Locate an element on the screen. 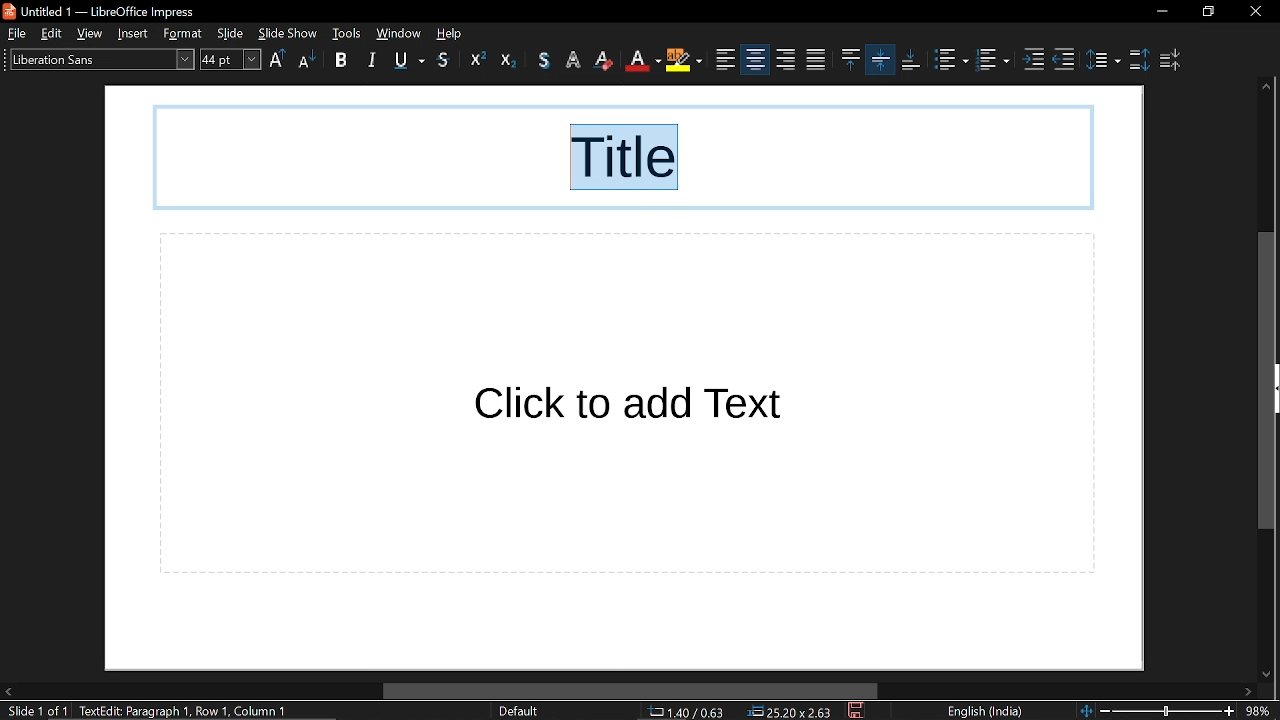 The width and height of the screenshot is (1280, 720). decrease indent is located at coordinates (1064, 60).